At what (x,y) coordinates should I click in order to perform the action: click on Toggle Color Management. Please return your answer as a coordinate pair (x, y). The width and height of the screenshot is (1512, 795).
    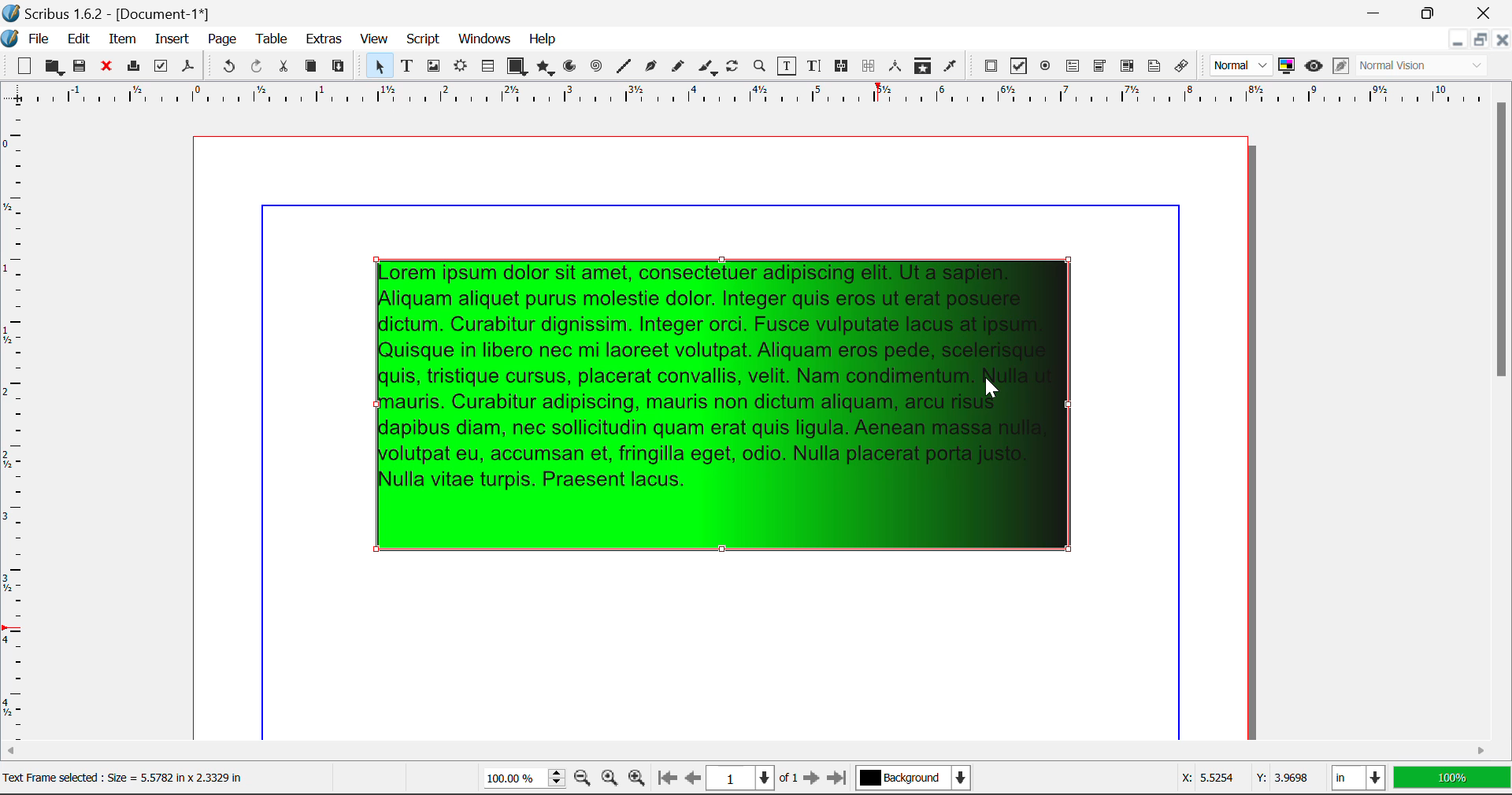
    Looking at the image, I should click on (1287, 66).